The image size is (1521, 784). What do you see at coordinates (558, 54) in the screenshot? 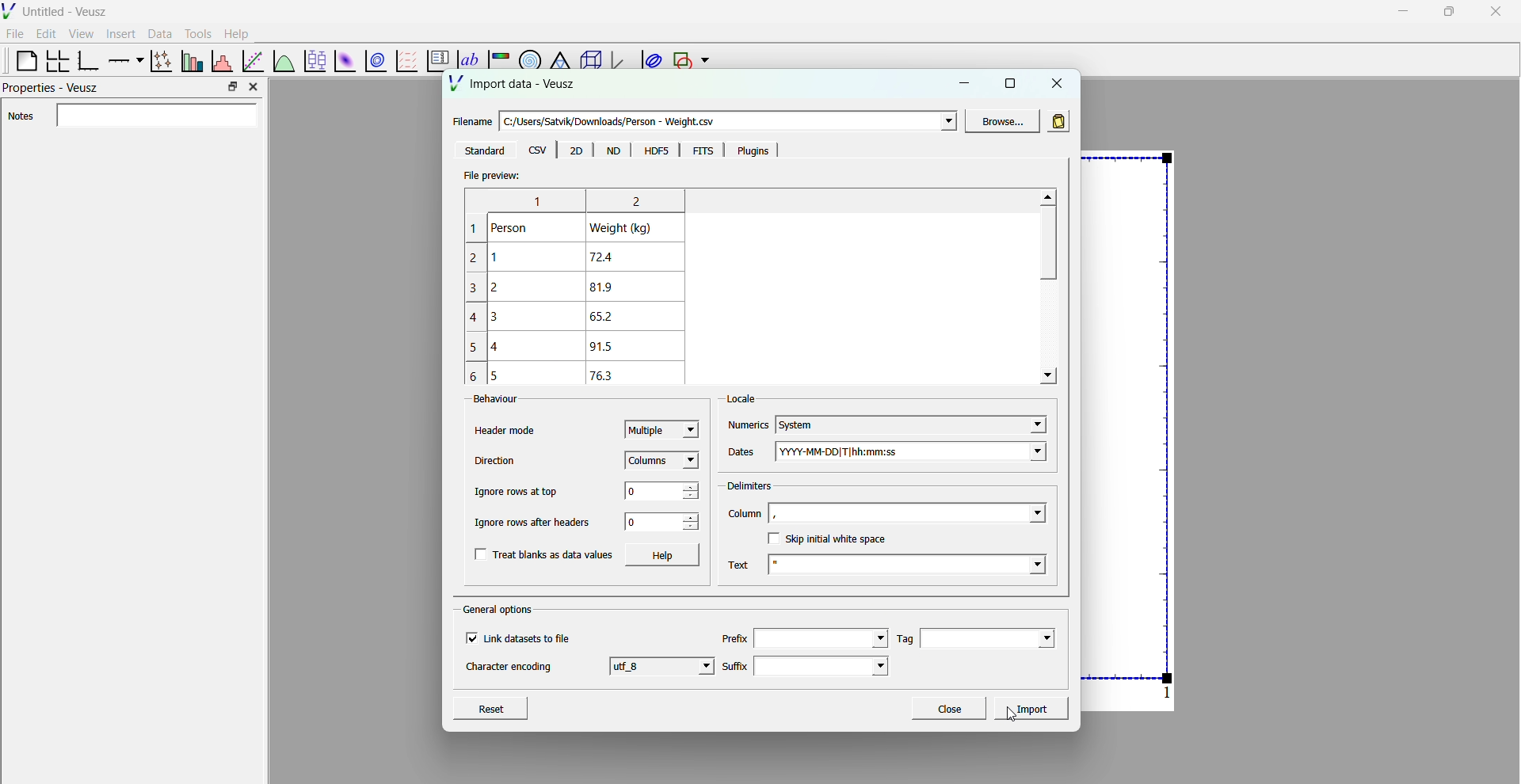
I see `ternary graph` at bounding box center [558, 54].